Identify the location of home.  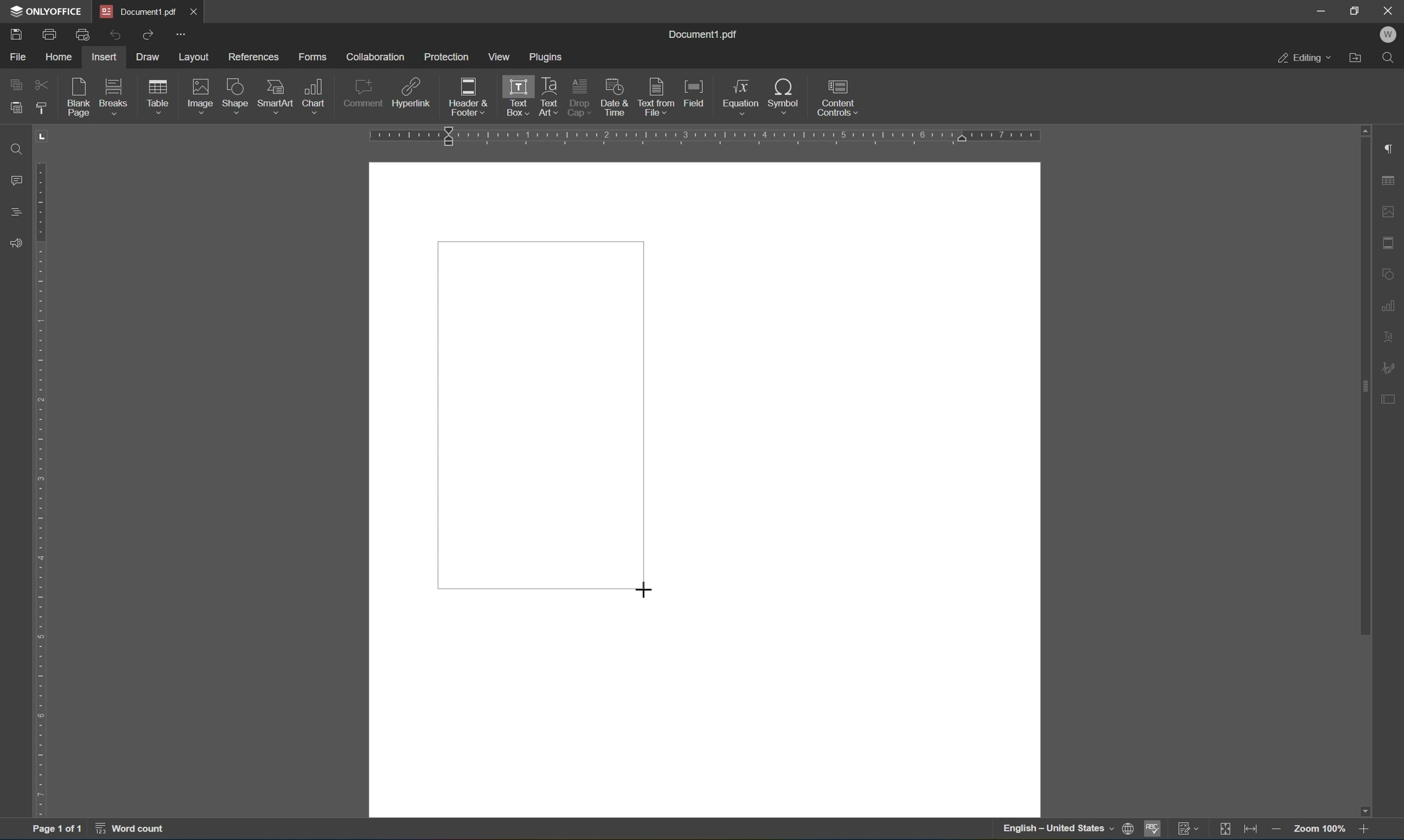
(61, 57).